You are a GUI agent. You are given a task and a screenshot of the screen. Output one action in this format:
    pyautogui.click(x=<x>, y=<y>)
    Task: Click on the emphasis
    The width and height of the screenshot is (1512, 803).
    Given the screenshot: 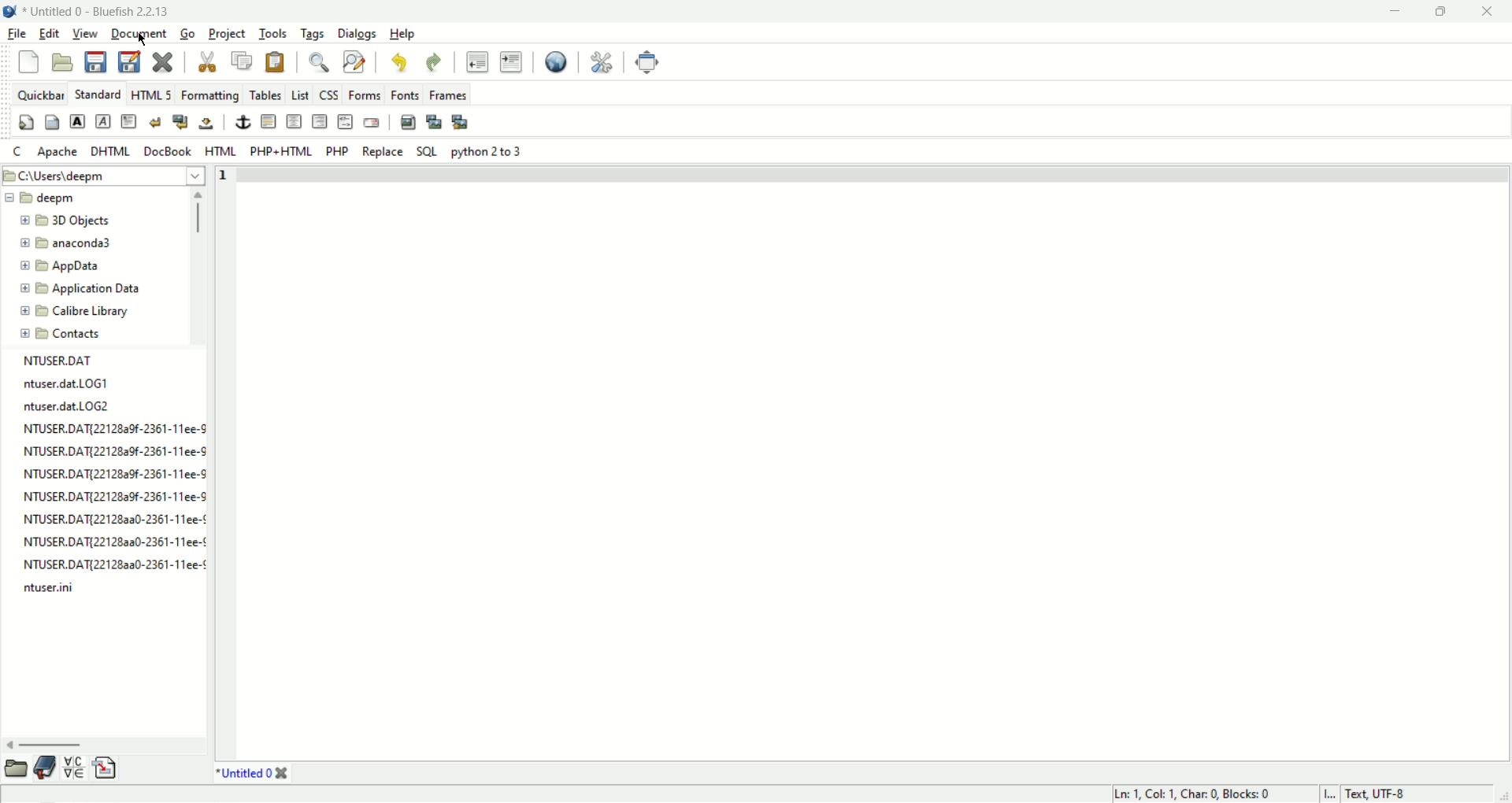 What is the action you would take?
    pyautogui.click(x=103, y=121)
    